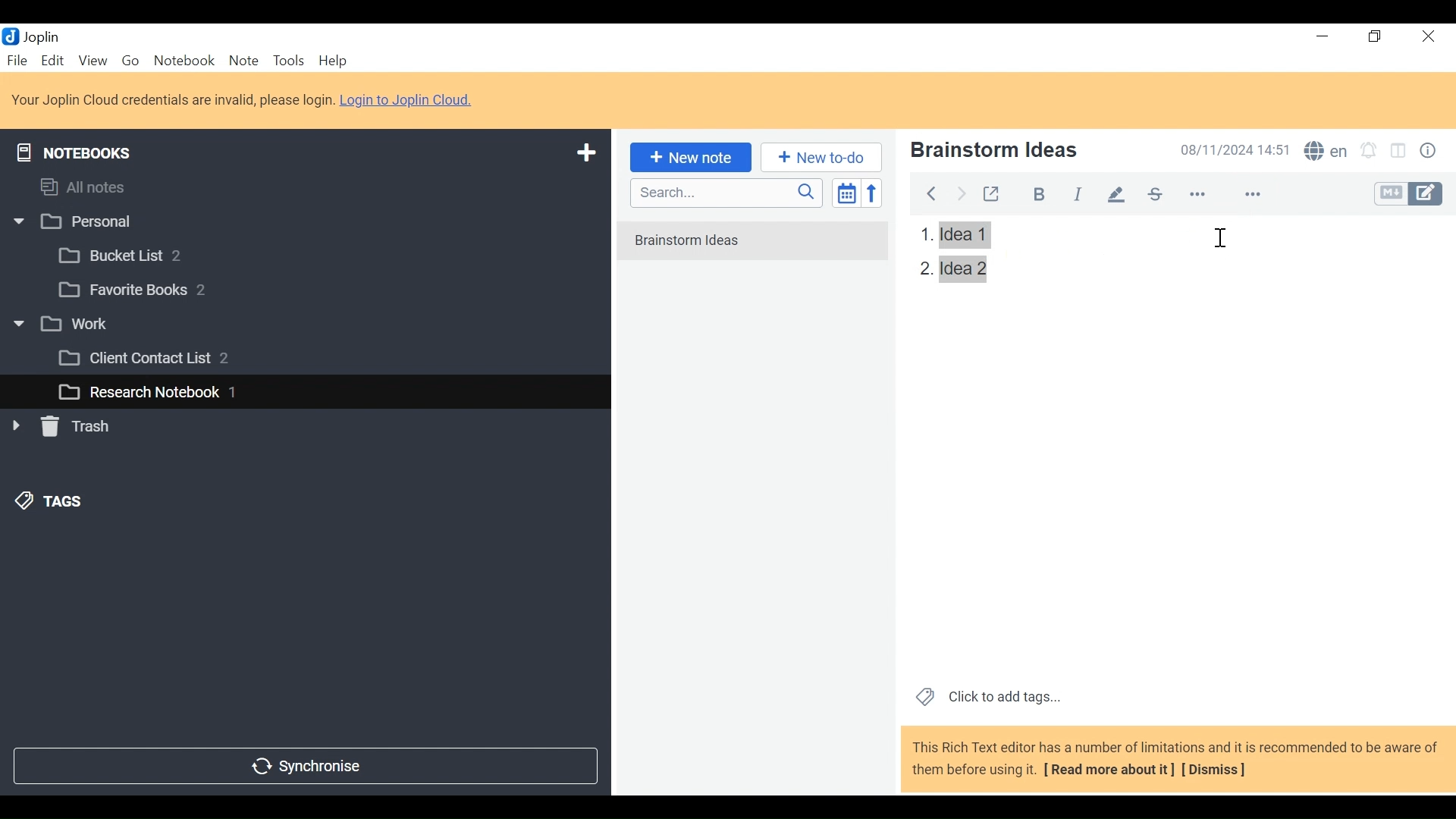 This screenshot has height=819, width=1456. What do you see at coordinates (1410, 194) in the screenshot?
I see `Toggle Editor` at bounding box center [1410, 194].